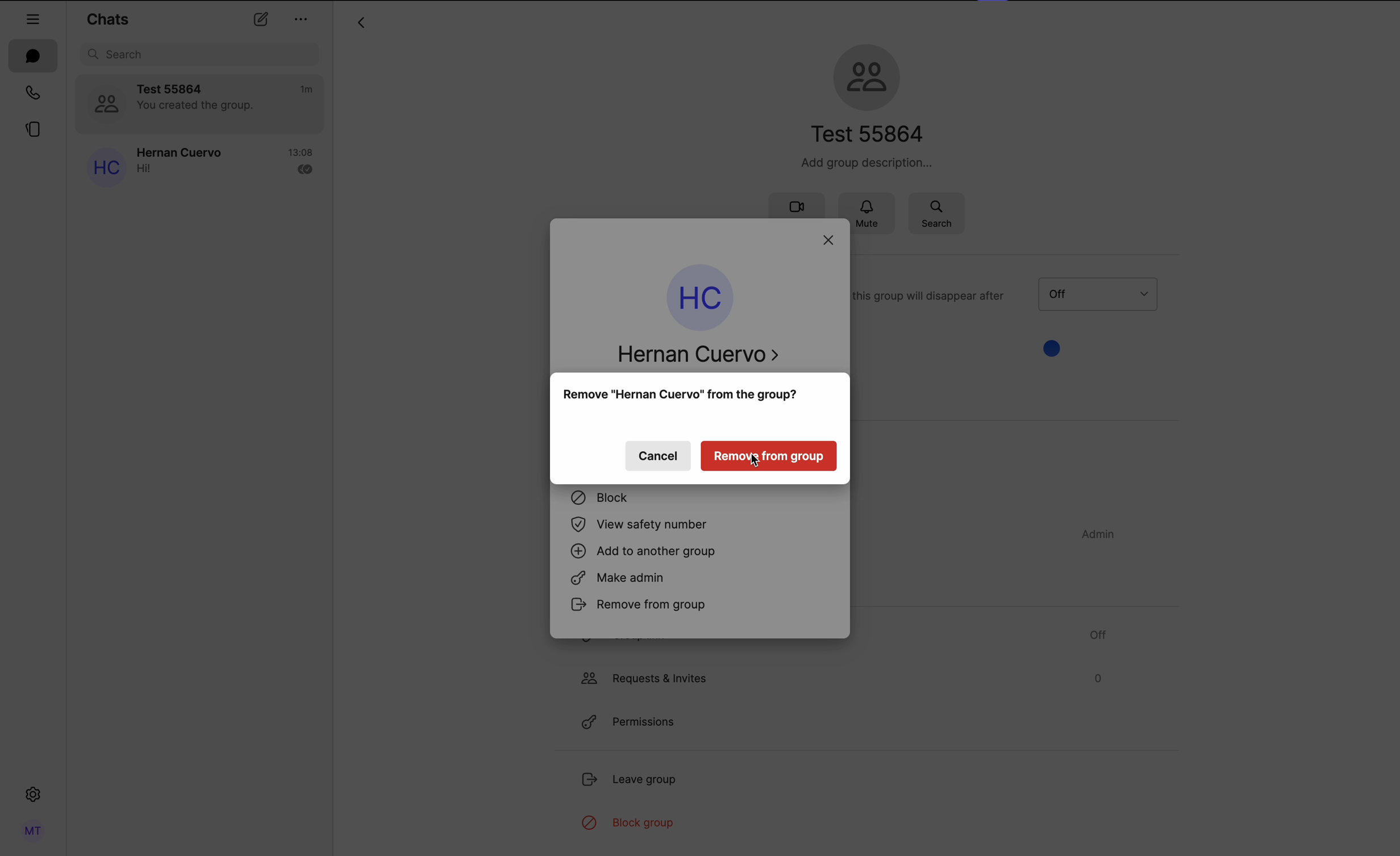  I want to click on search, so click(936, 213).